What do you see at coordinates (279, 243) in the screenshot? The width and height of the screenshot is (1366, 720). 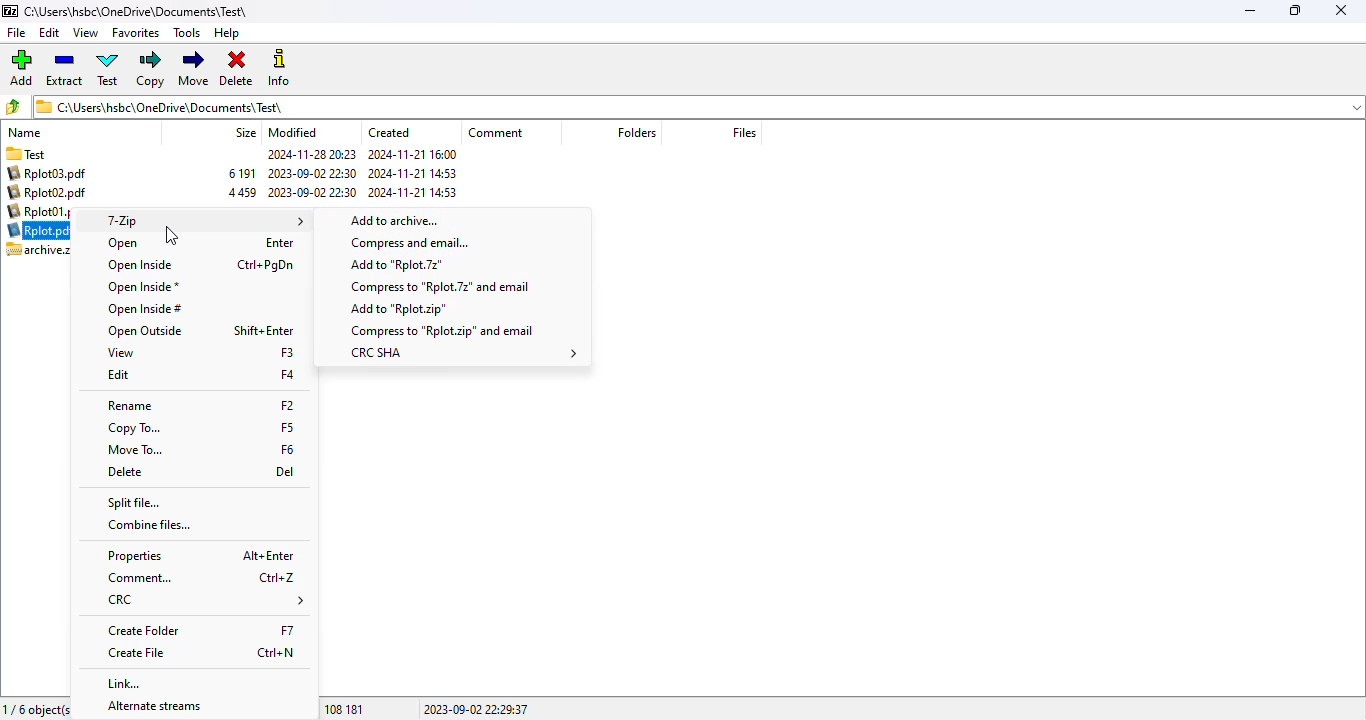 I see `shortcut for open` at bounding box center [279, 243].